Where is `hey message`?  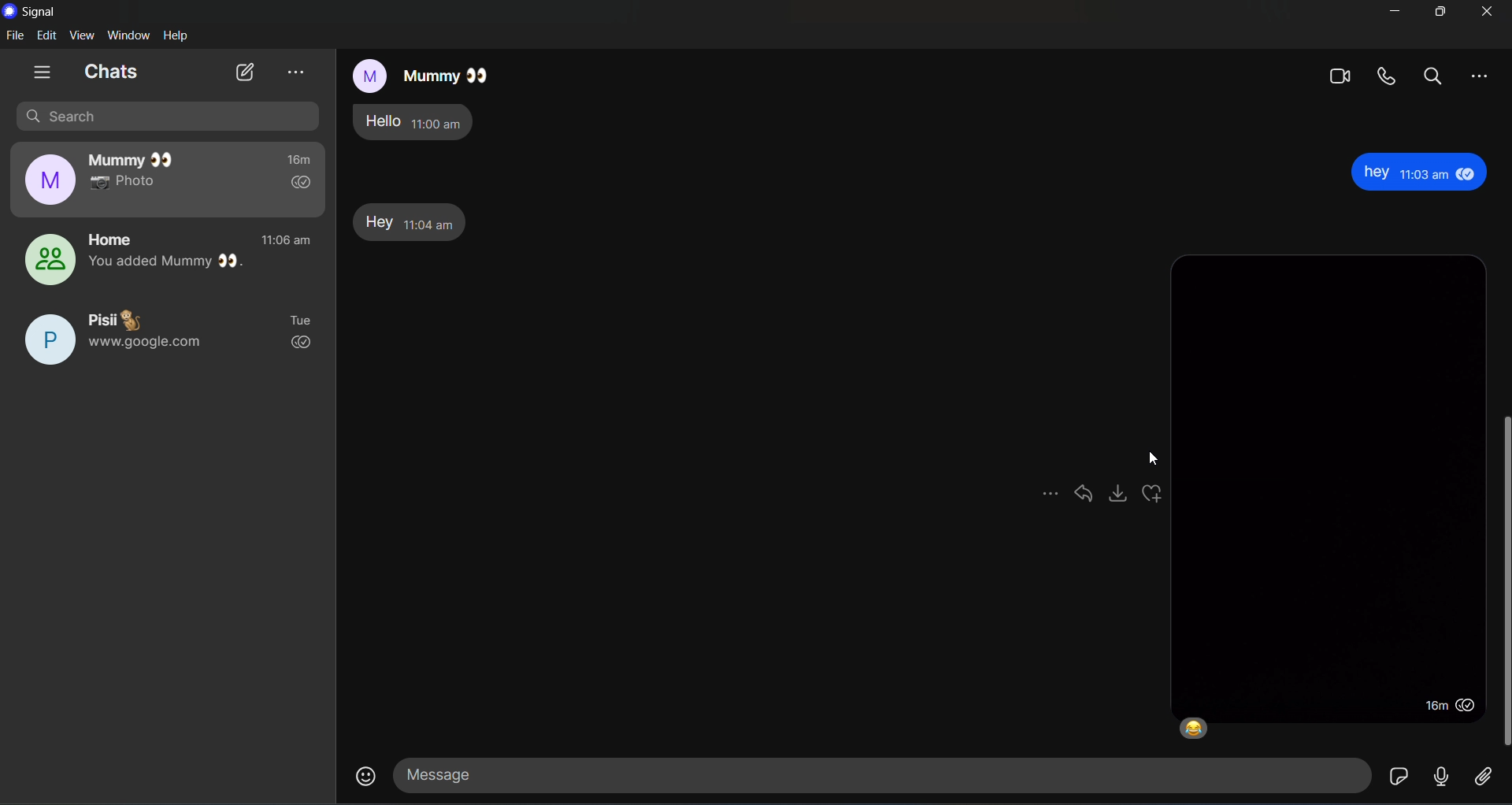
hey message is located at coordinates (1425, 173).